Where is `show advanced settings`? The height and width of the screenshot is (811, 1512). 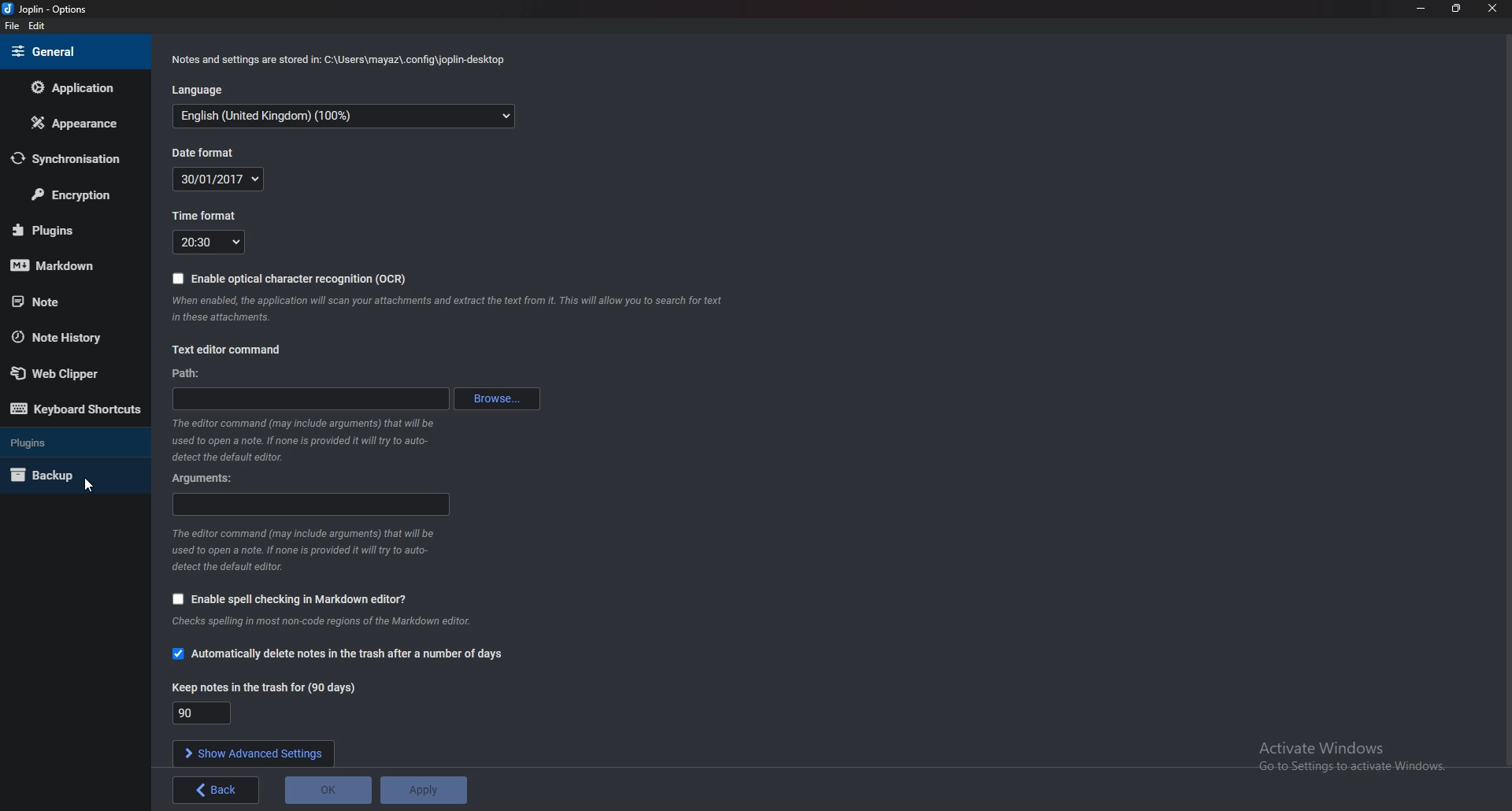 show advanced settings is located at coordinates (254, 752).